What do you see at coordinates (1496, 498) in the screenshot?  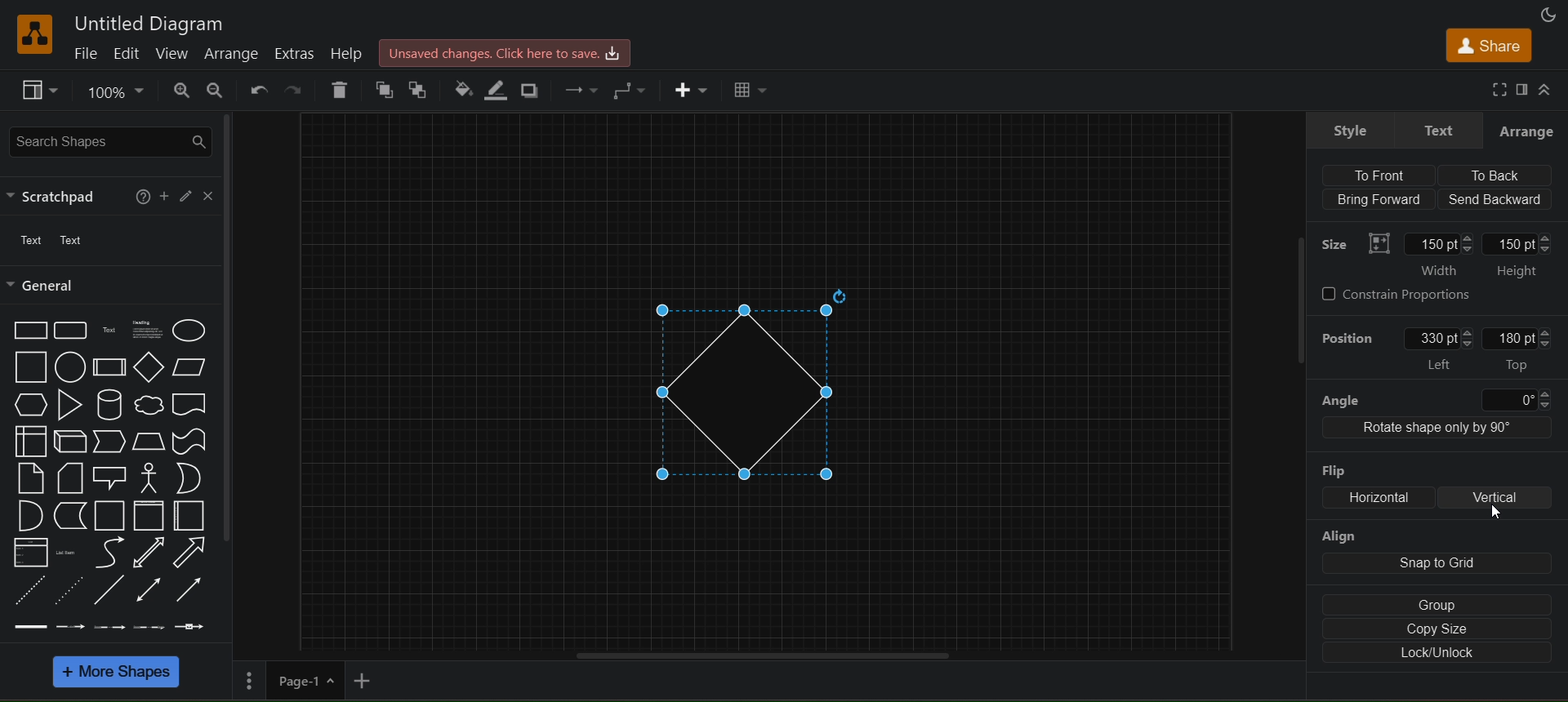 I see `vertical` at bounding box center [1496, 498].